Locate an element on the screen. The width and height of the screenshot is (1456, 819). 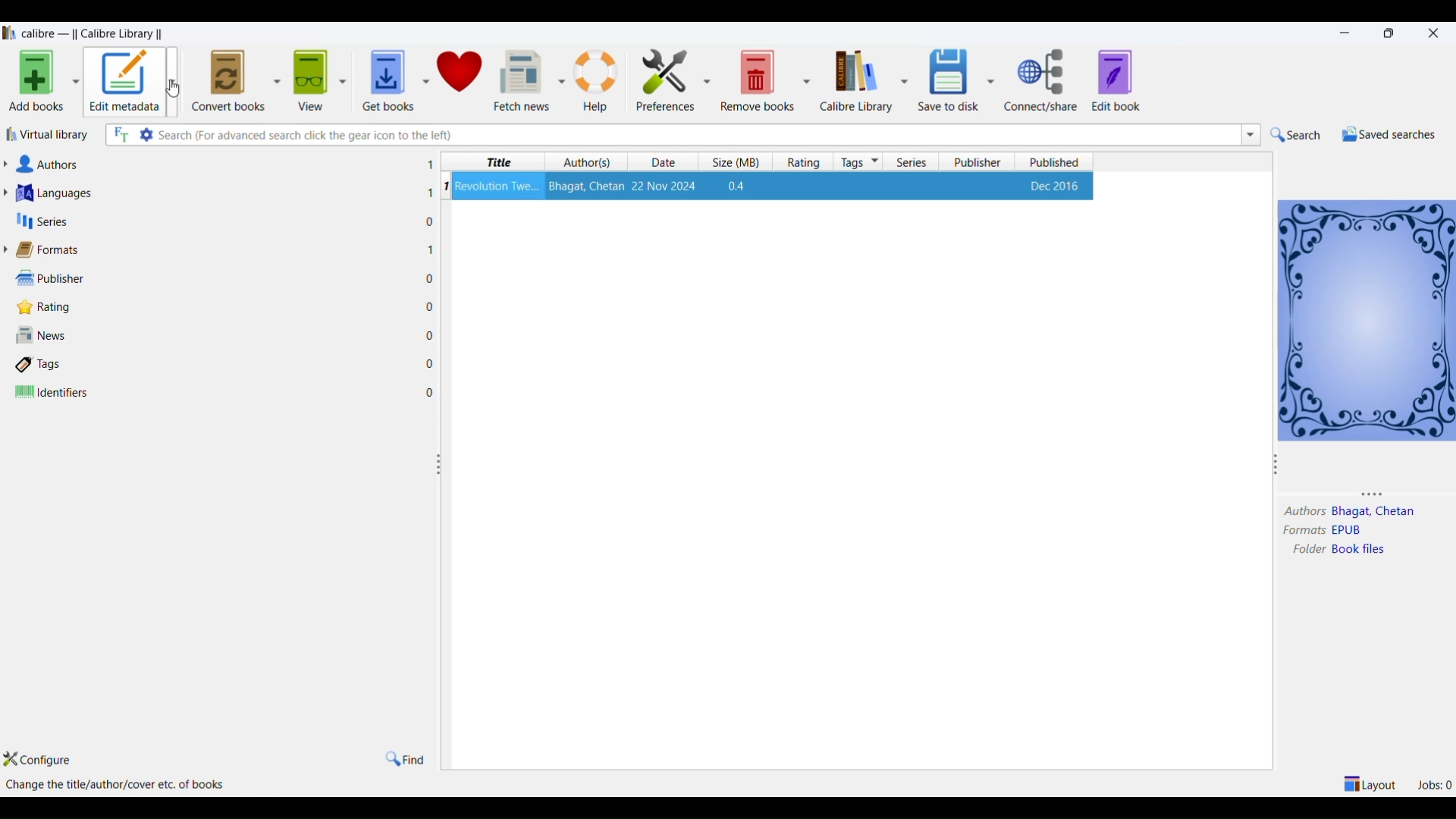
authors is located at coordinates (1304, 512).